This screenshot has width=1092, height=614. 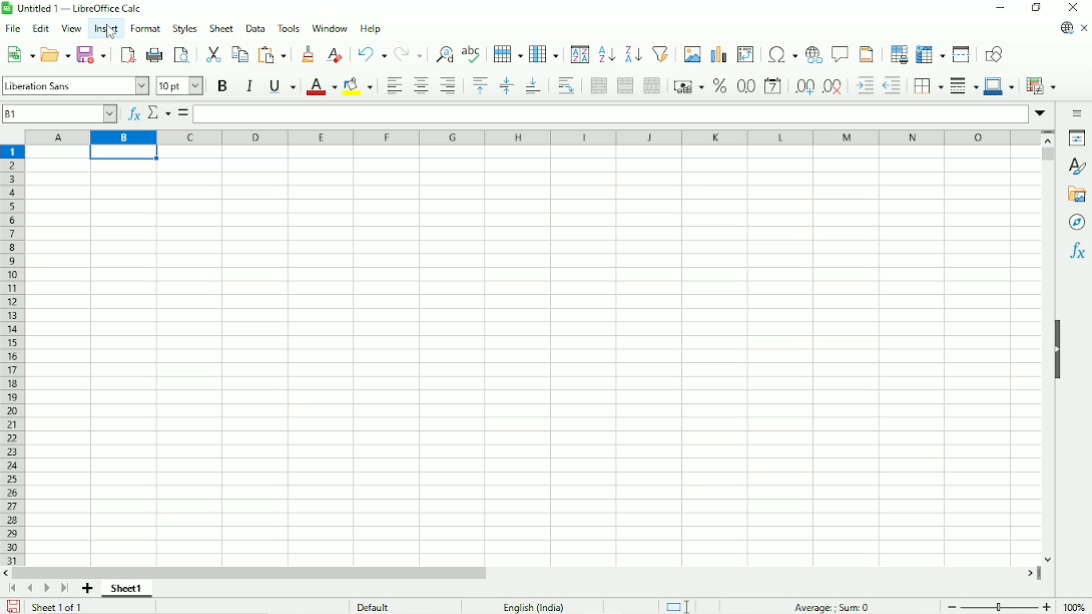 What do you see at coordinates (747, 52) in the screenshot?
I see `Insert or edit pivot table` at bounding box center [747, 52].